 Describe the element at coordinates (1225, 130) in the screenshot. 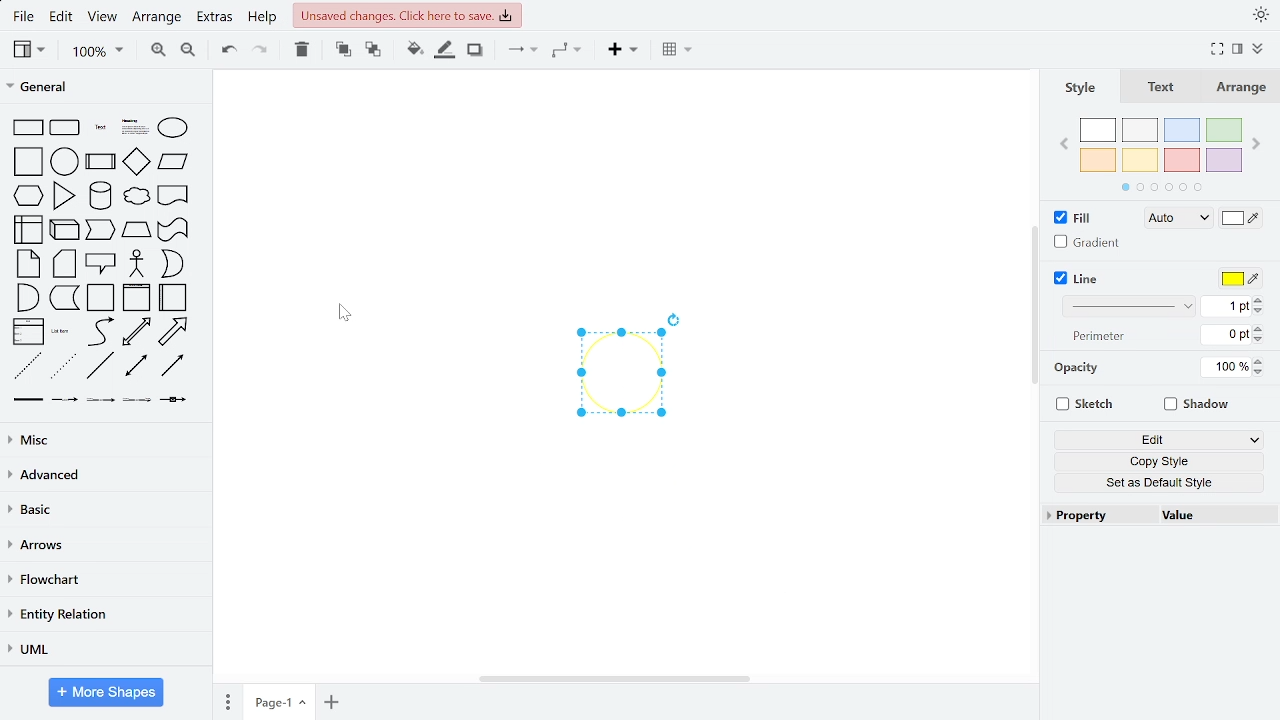

I see `green` at that location.